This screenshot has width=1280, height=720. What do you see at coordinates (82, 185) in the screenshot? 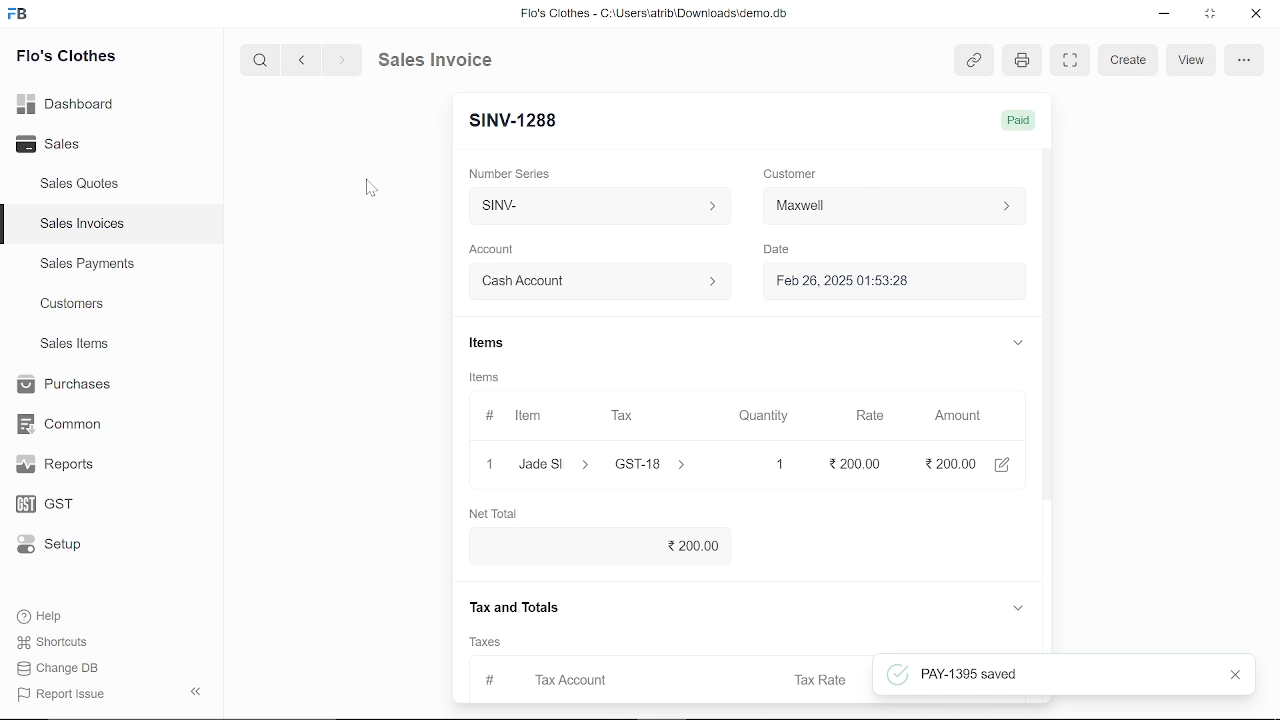
I see `Sales Quotes` at bounding box center [82, 185].